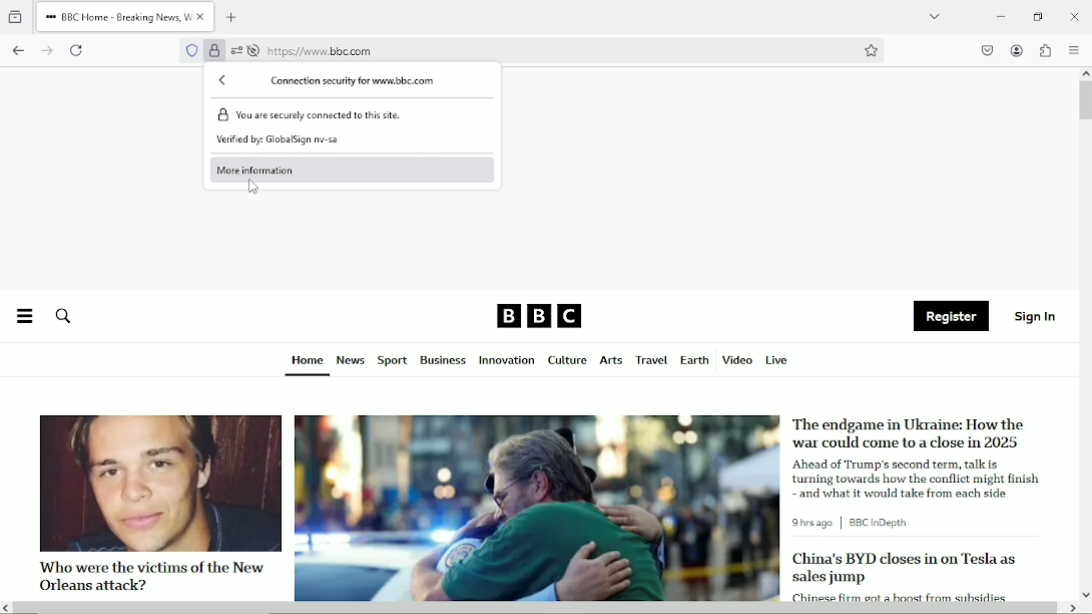 This screenshot has height=614, width=1092. What do you see at coordinates (911, 433) in the screenshot?
I see `The endgame in Ukraine: How the war could come to a close in 2025` at bounding box center [911, 433].